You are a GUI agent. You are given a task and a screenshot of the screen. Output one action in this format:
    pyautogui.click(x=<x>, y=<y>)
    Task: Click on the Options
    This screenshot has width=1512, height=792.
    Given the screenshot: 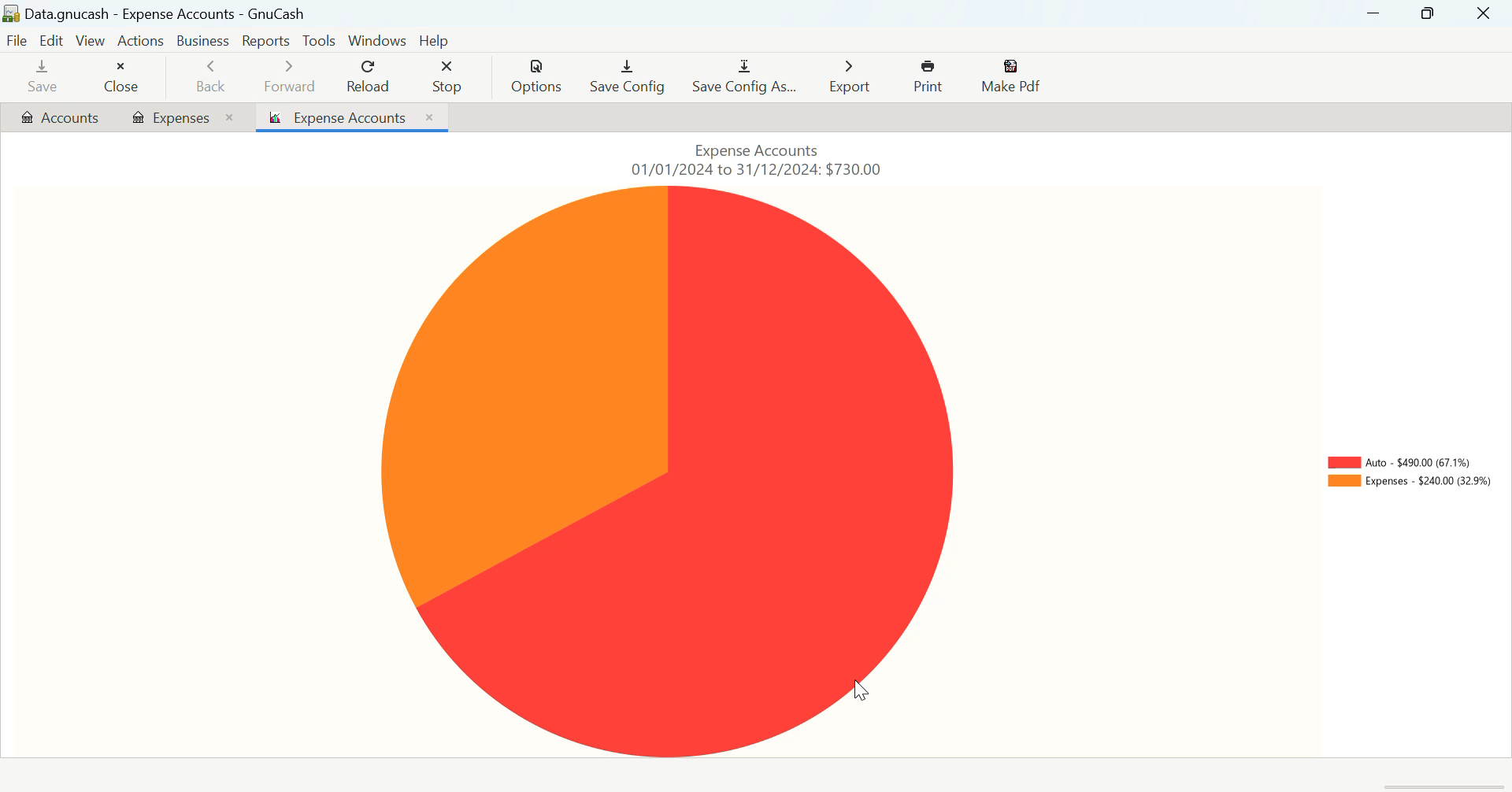 What is the action you would take?
    pyautogui.click(x=539, y=77)
    